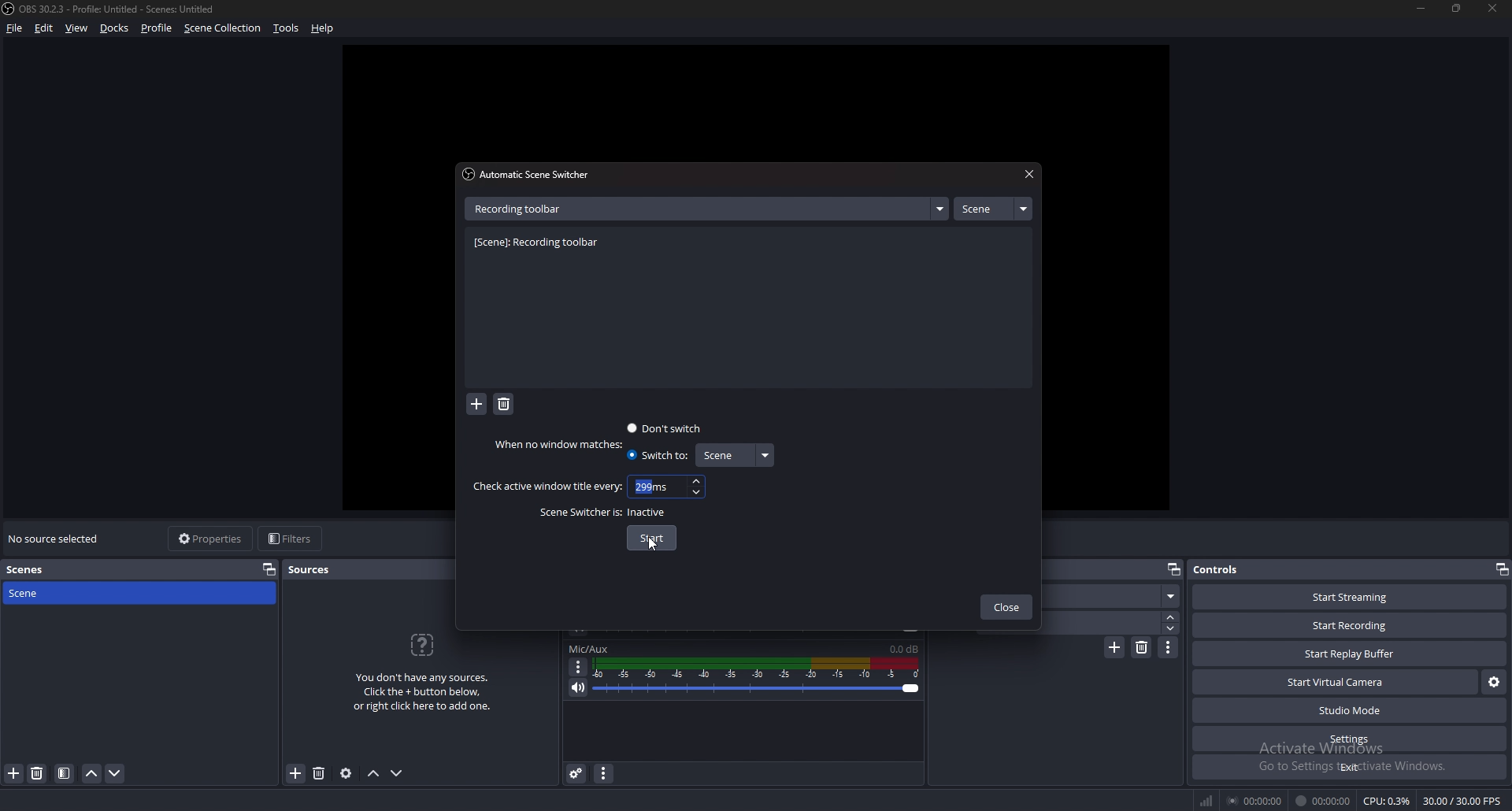  Describe the element at coordinates (1232, 568) in the screenshot. I see `controls` at that location.